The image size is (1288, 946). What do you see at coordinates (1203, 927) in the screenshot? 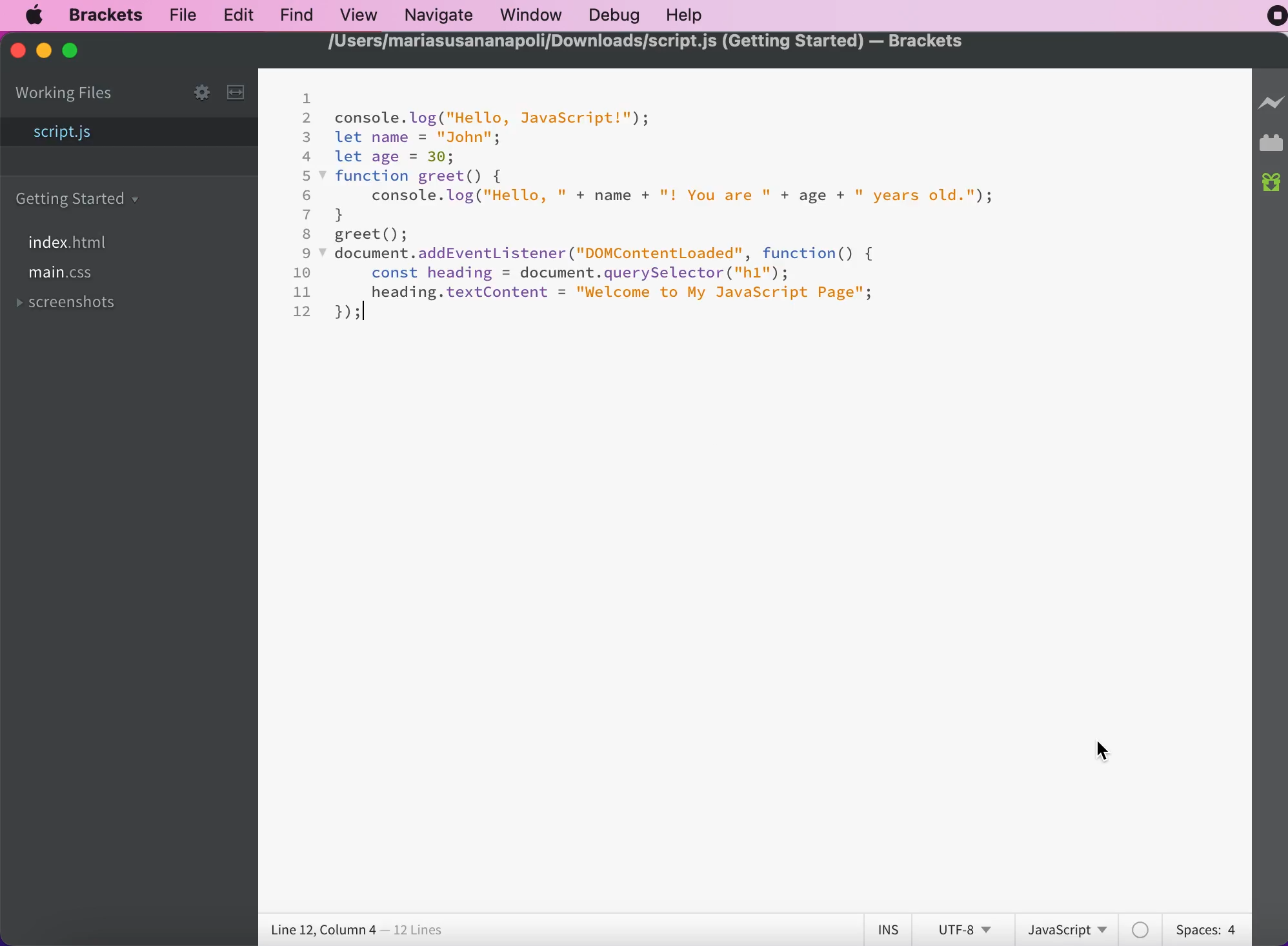
I see `spaces: 4` at bounding box center [1203, 927].